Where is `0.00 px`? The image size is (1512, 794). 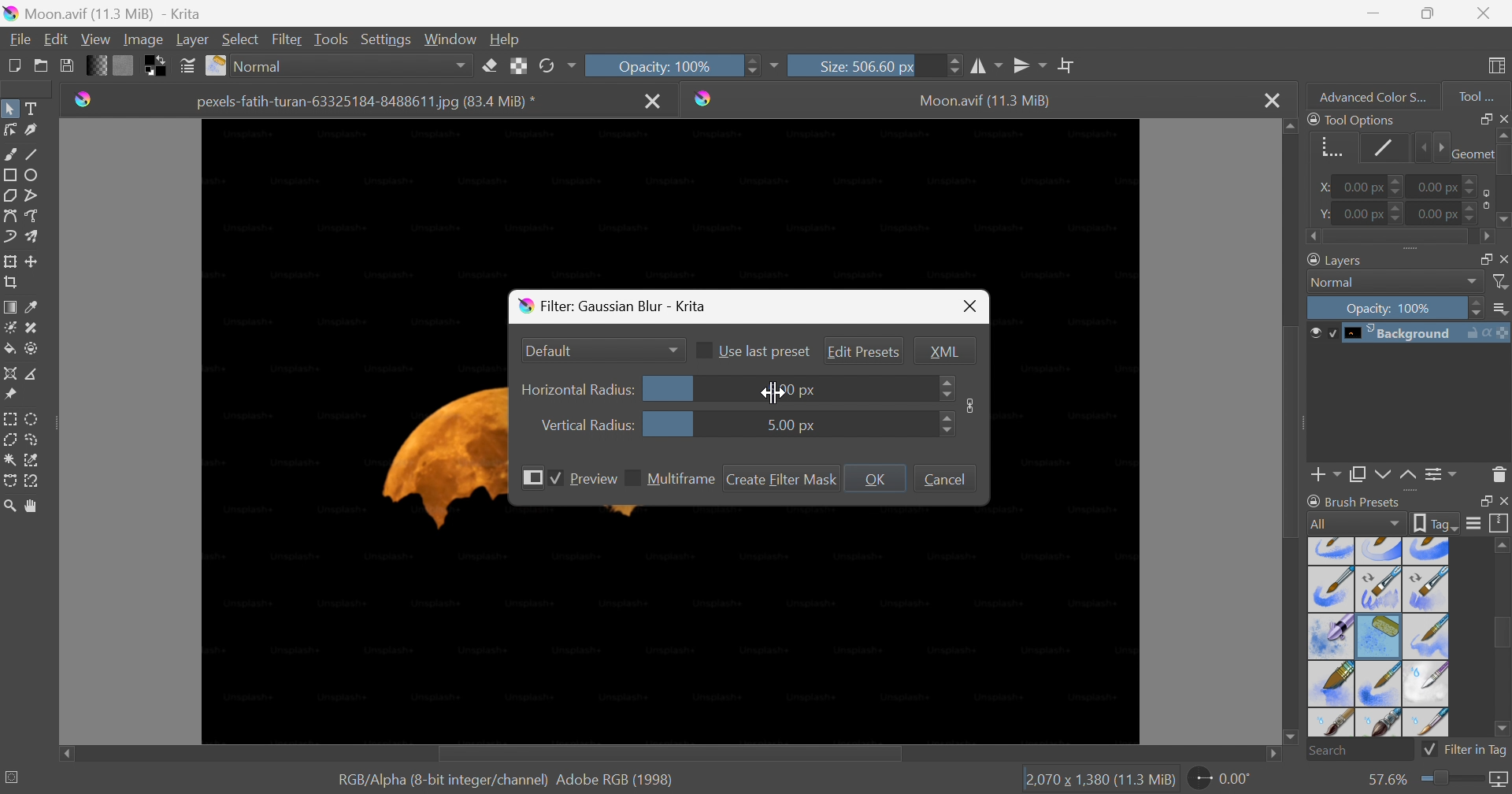
0.00 px is located at coordinates (1449, 184).